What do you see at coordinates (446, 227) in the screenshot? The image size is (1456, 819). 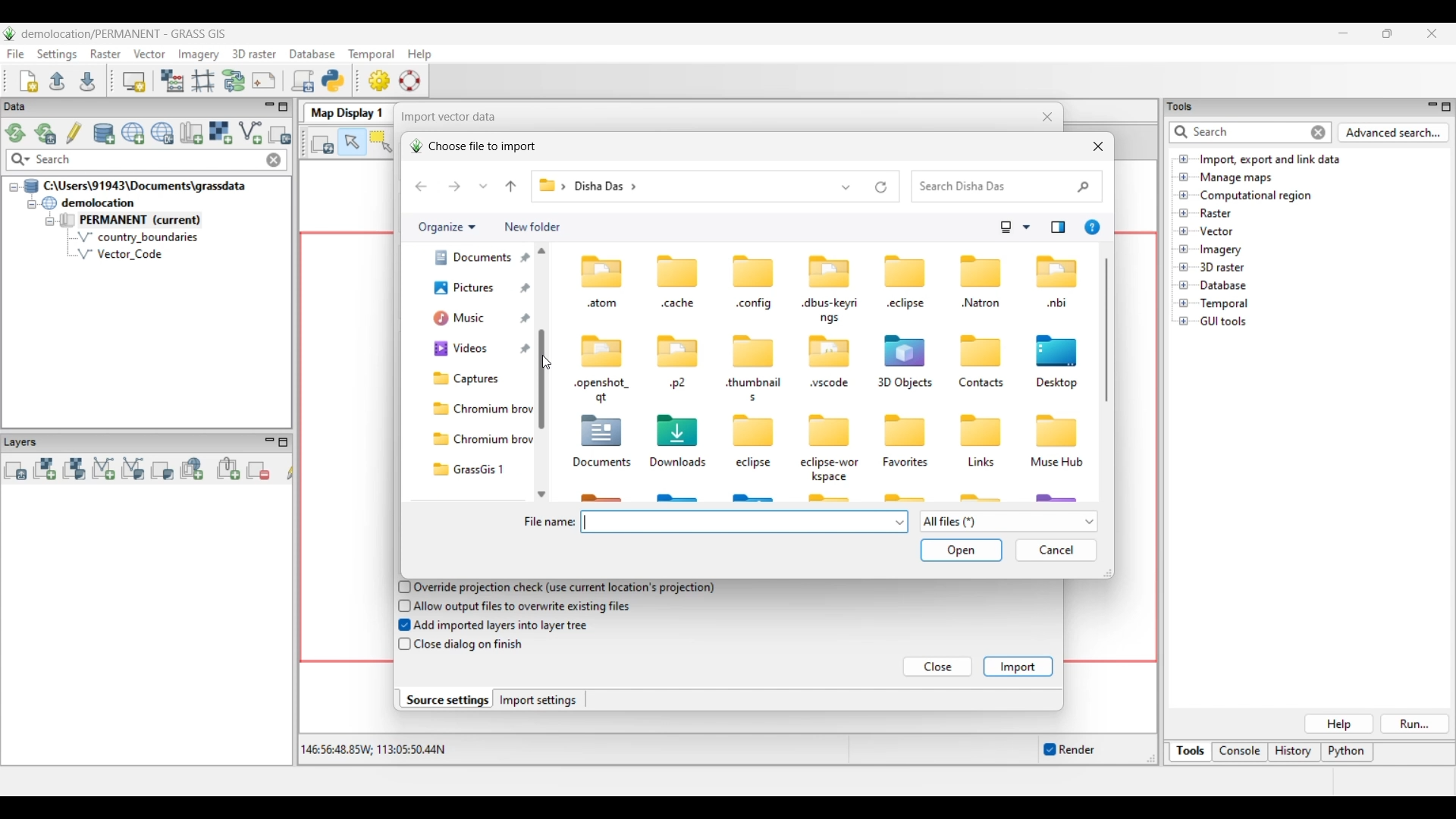 I see `Organize current folder` at bounding box center [446, 227].